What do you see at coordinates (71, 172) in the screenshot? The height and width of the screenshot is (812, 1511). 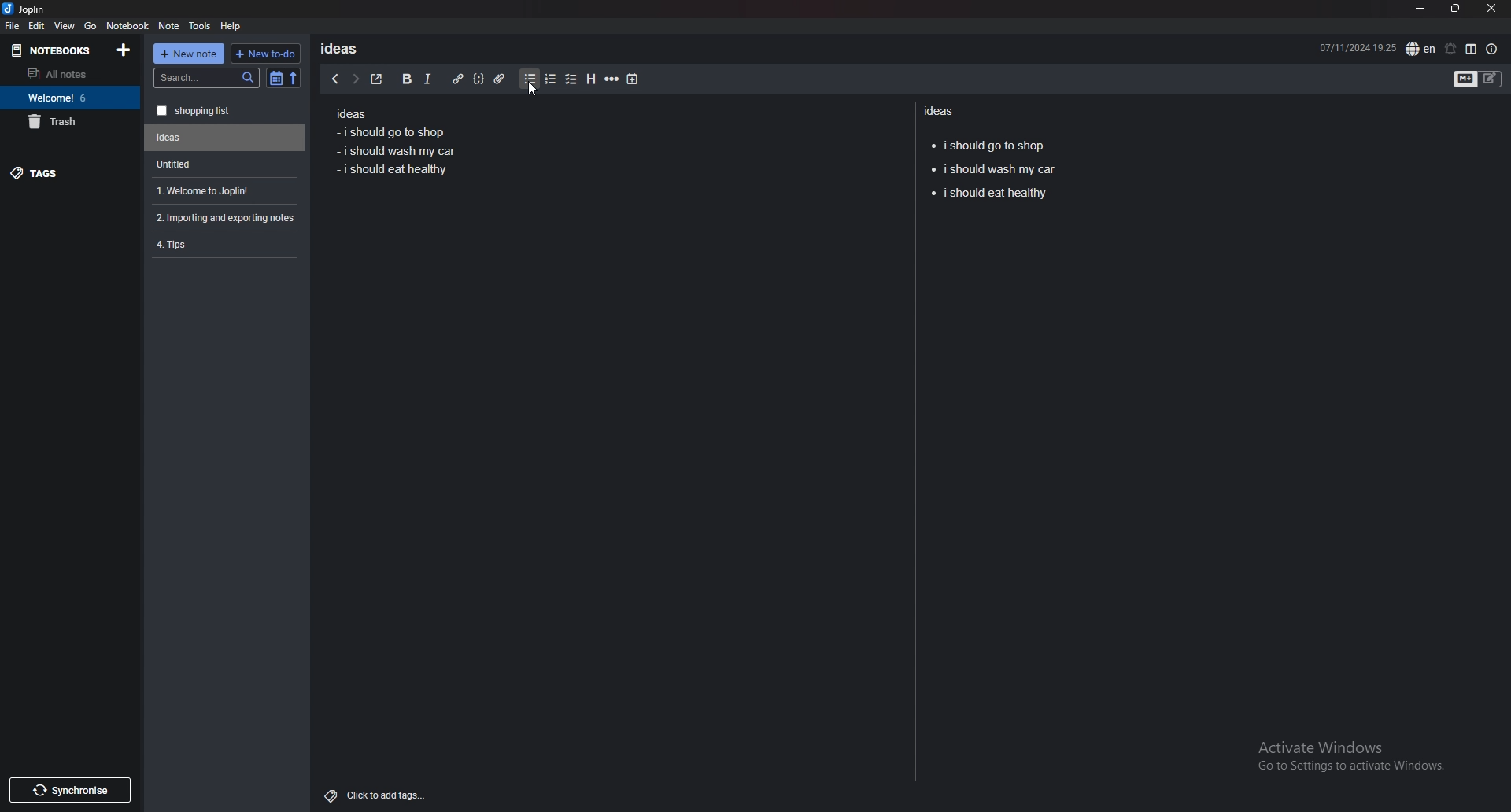 I see `tags` at bounding box center [71, 172].